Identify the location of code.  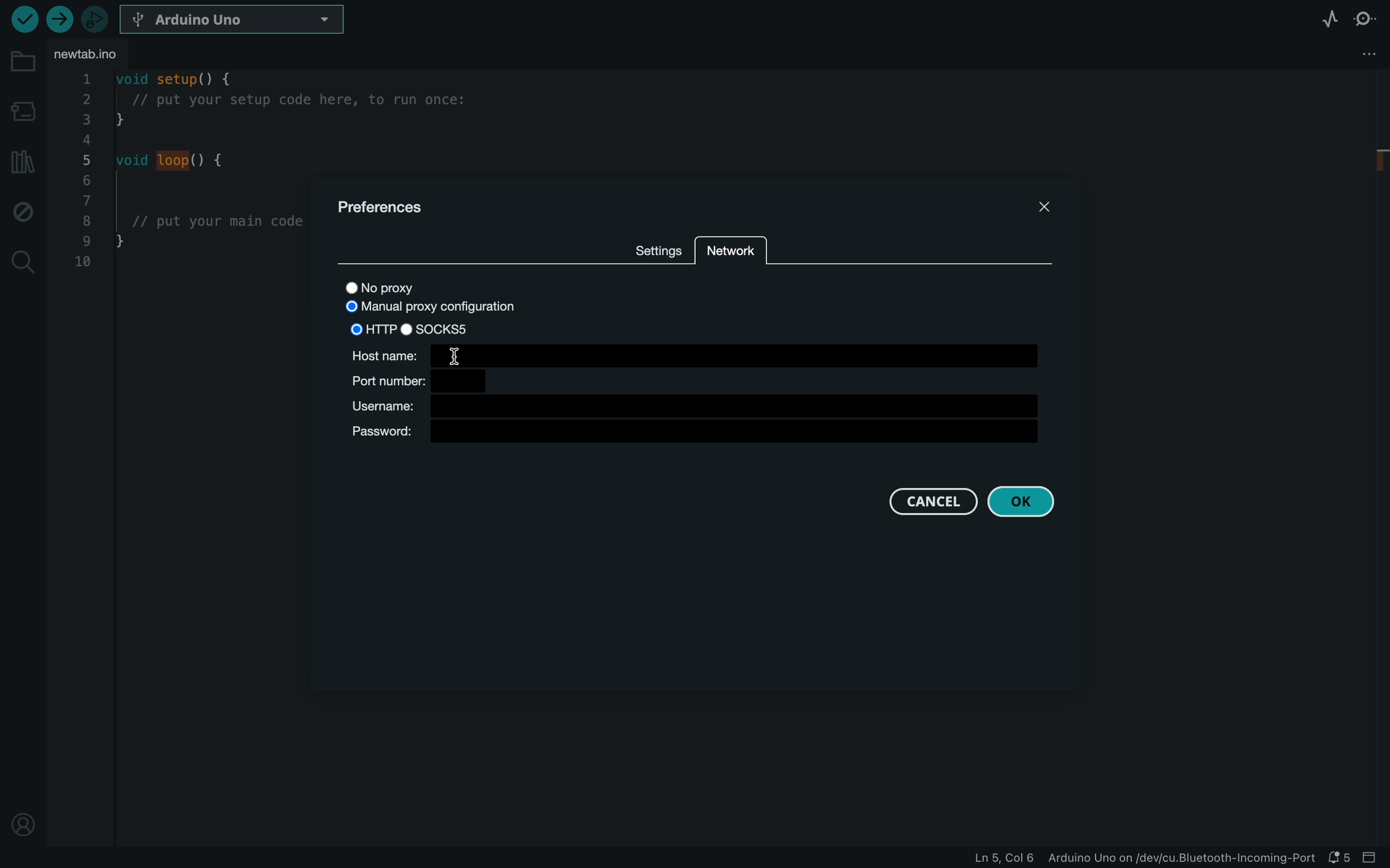
(184, 196).